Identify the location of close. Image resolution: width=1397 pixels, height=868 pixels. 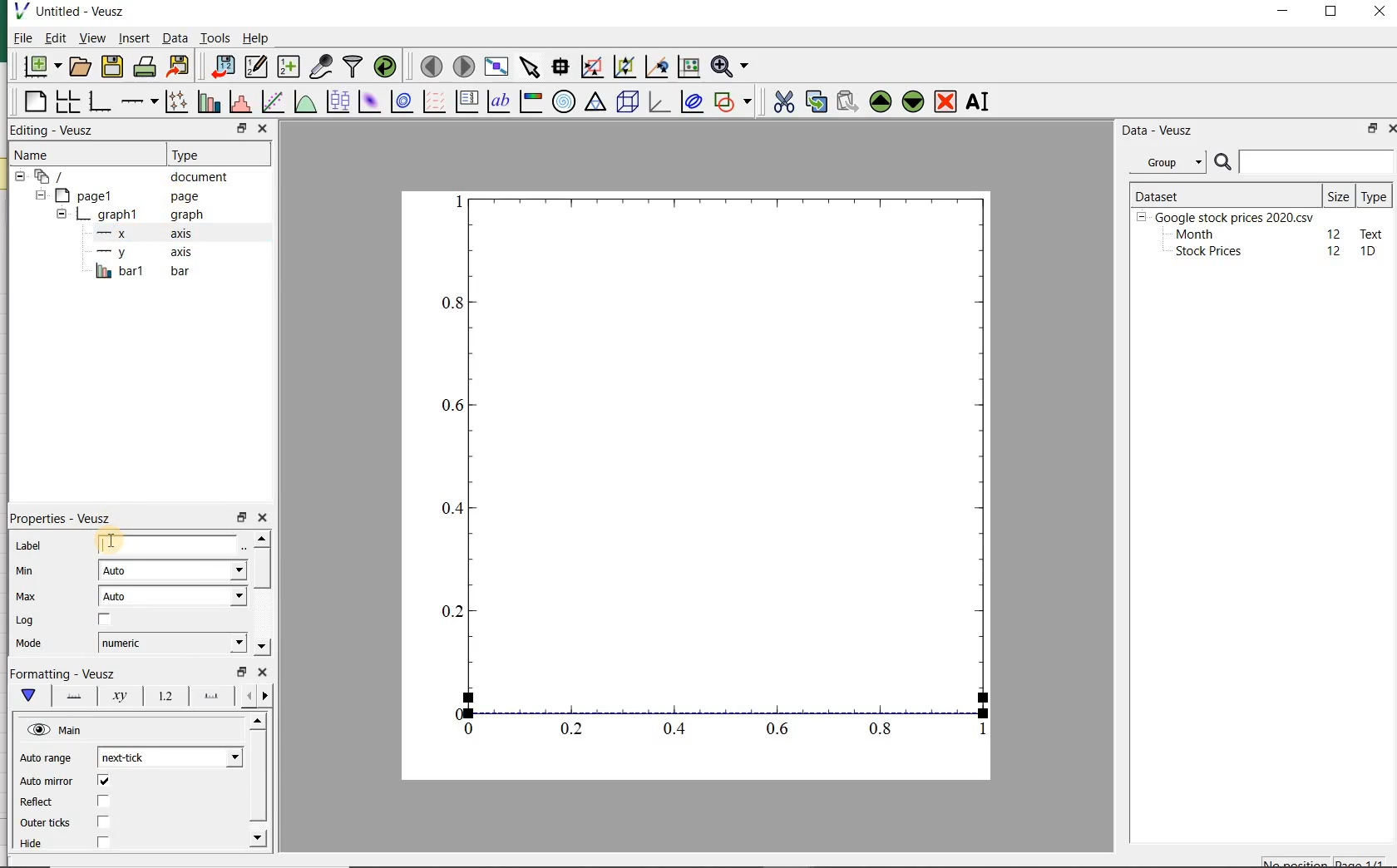
(1380, 12).